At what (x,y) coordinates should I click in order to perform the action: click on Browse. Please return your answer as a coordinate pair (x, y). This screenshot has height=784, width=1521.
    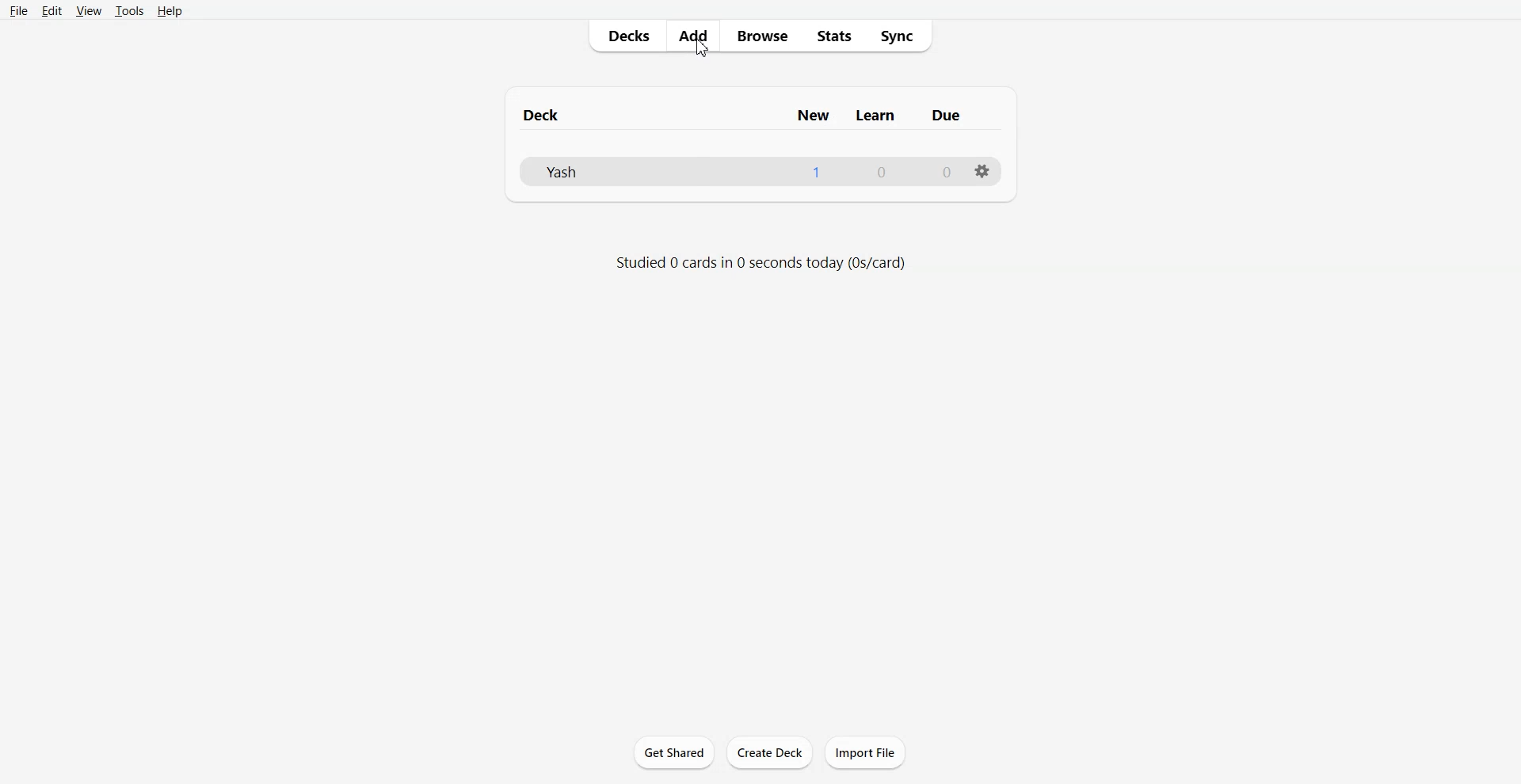
    Looking at the image, I should click on (761, 36).